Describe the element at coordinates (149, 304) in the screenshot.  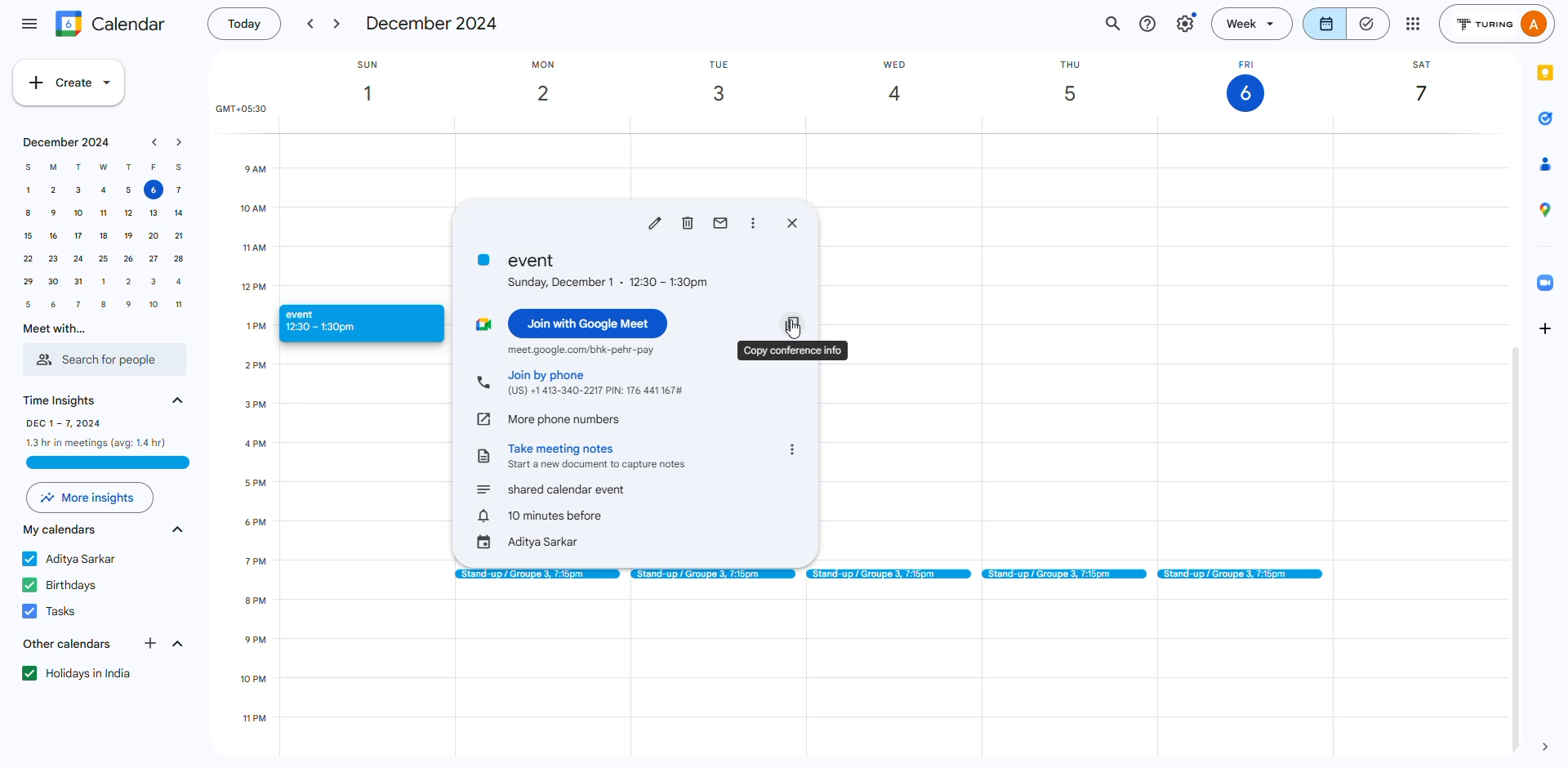
I see `10` at that location.